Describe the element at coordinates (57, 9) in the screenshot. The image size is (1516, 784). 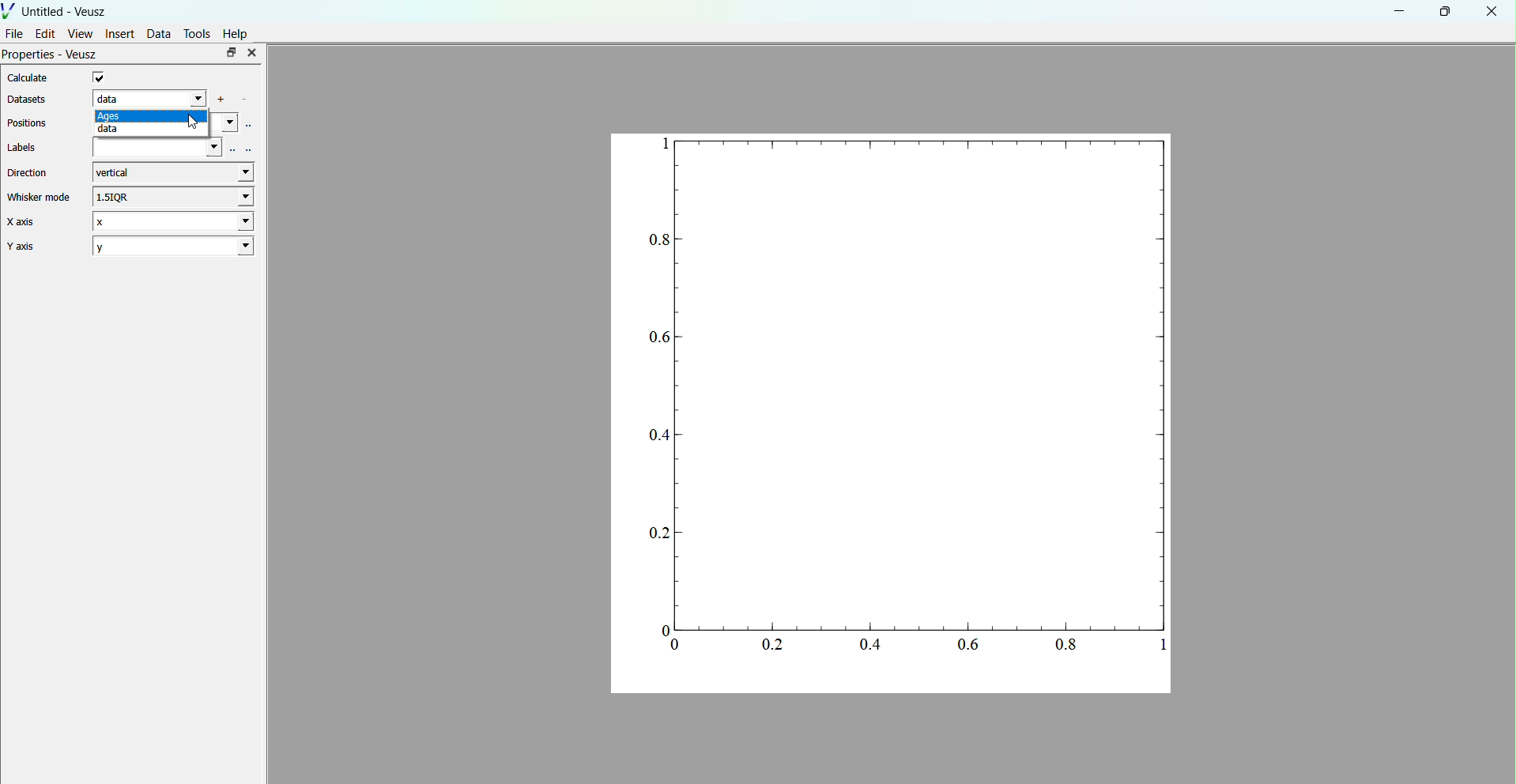
I see `Untitled - Veusz` at that location.